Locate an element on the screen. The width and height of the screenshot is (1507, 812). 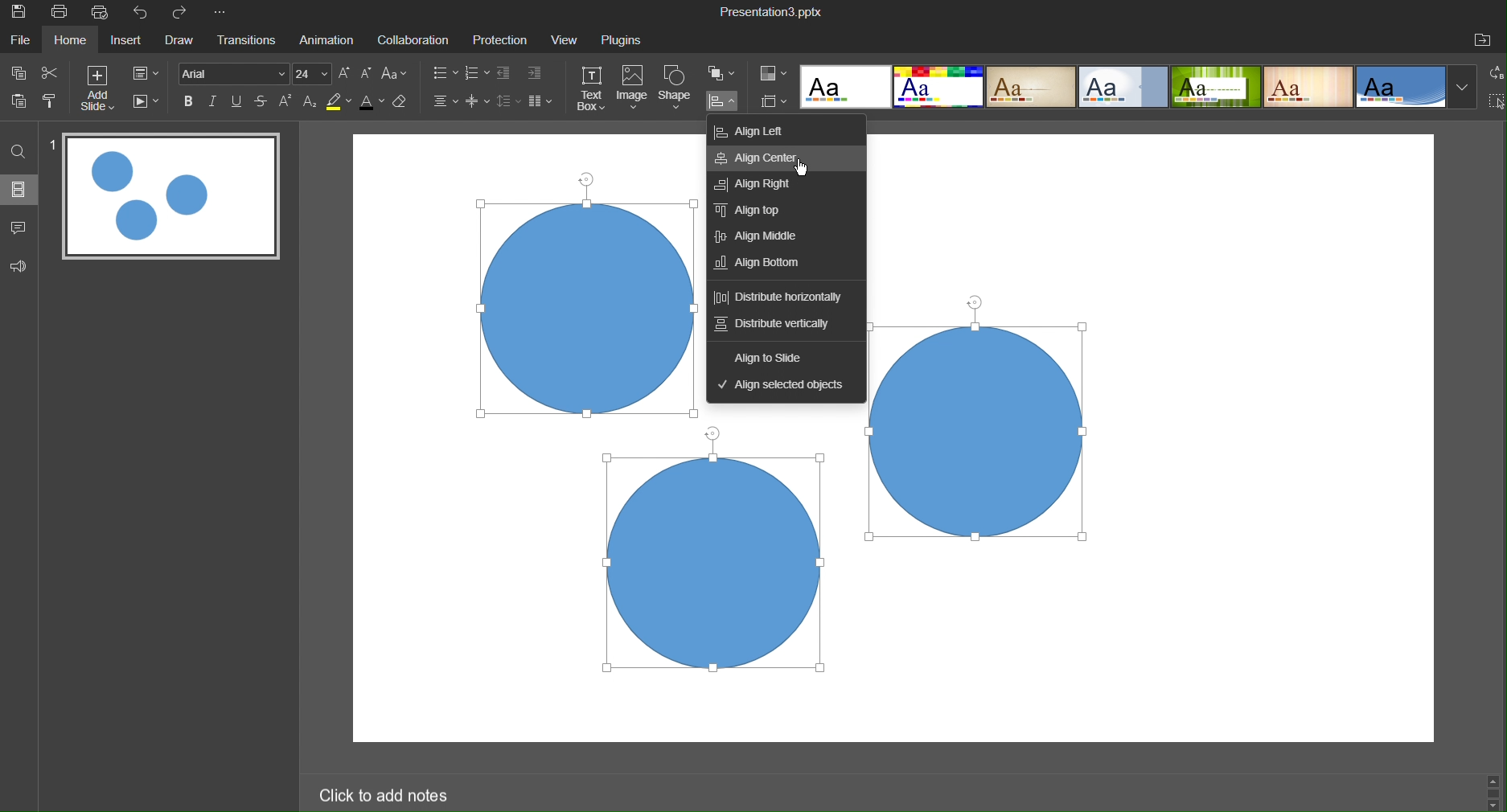
Italic is located at coordinates (216, 101).